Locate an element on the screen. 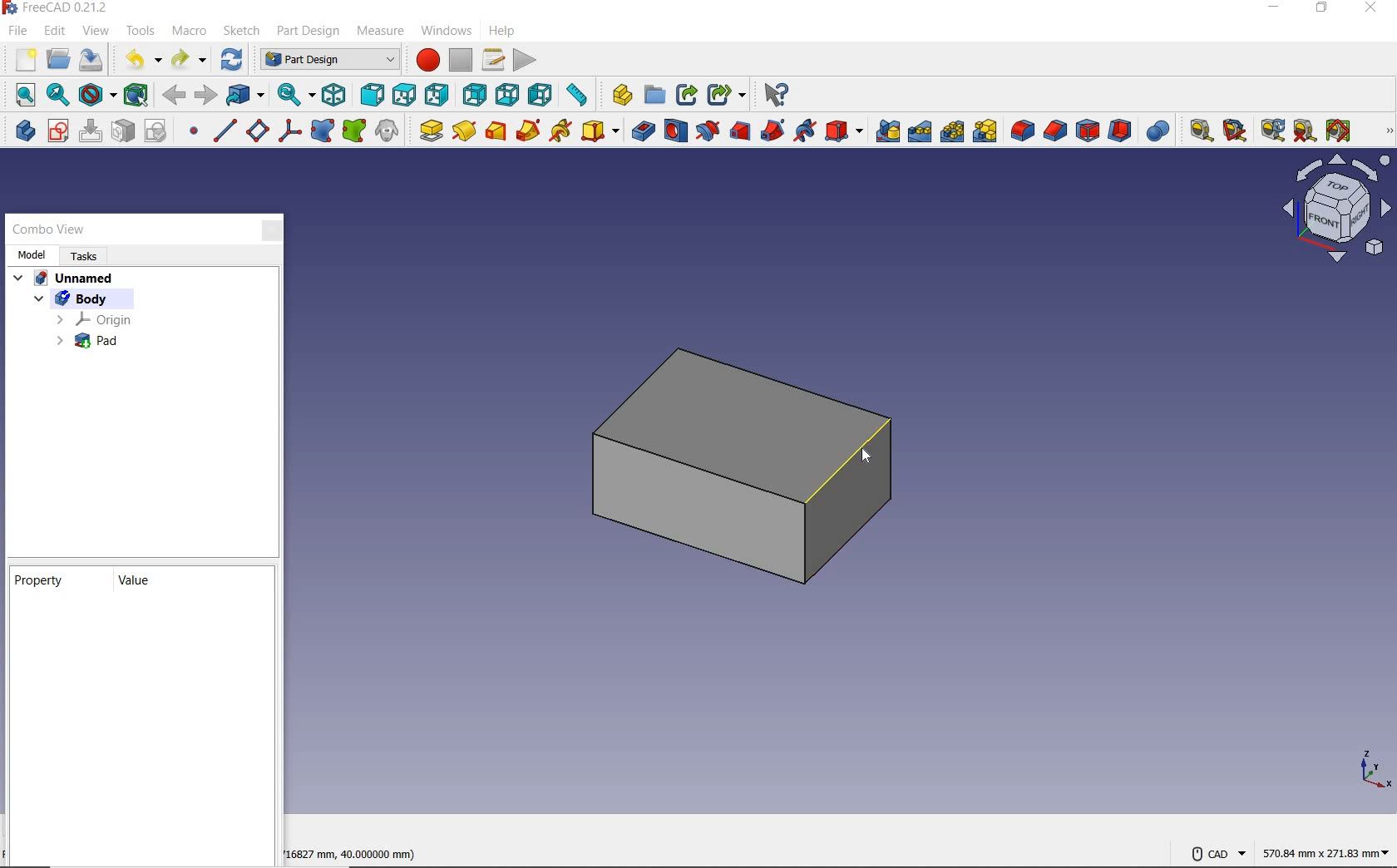 The width and height of the screenshot is (1397, 868). tools is located at coordinates (140, 32).